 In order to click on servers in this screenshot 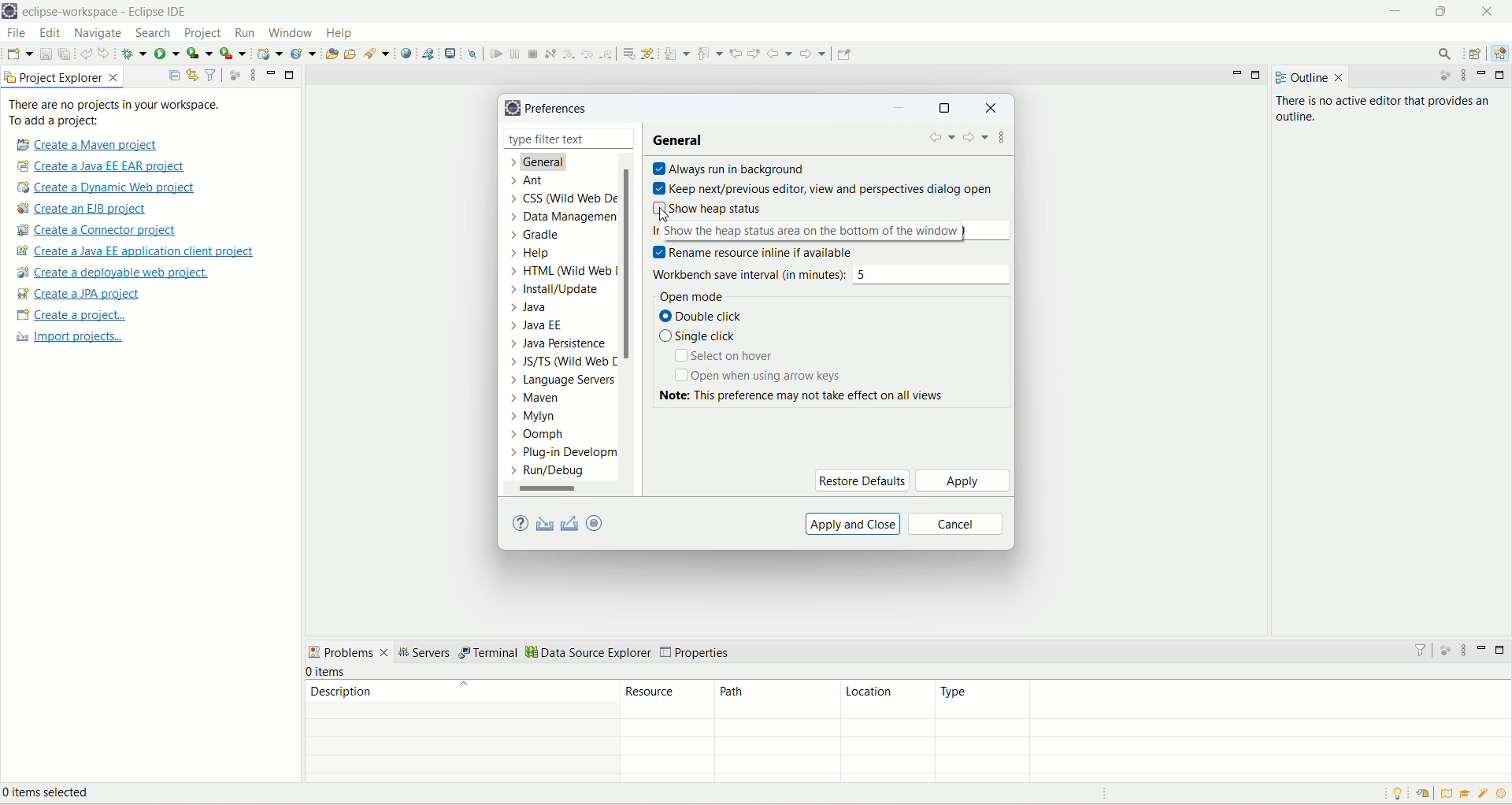, I will do `click(427, 653)`.